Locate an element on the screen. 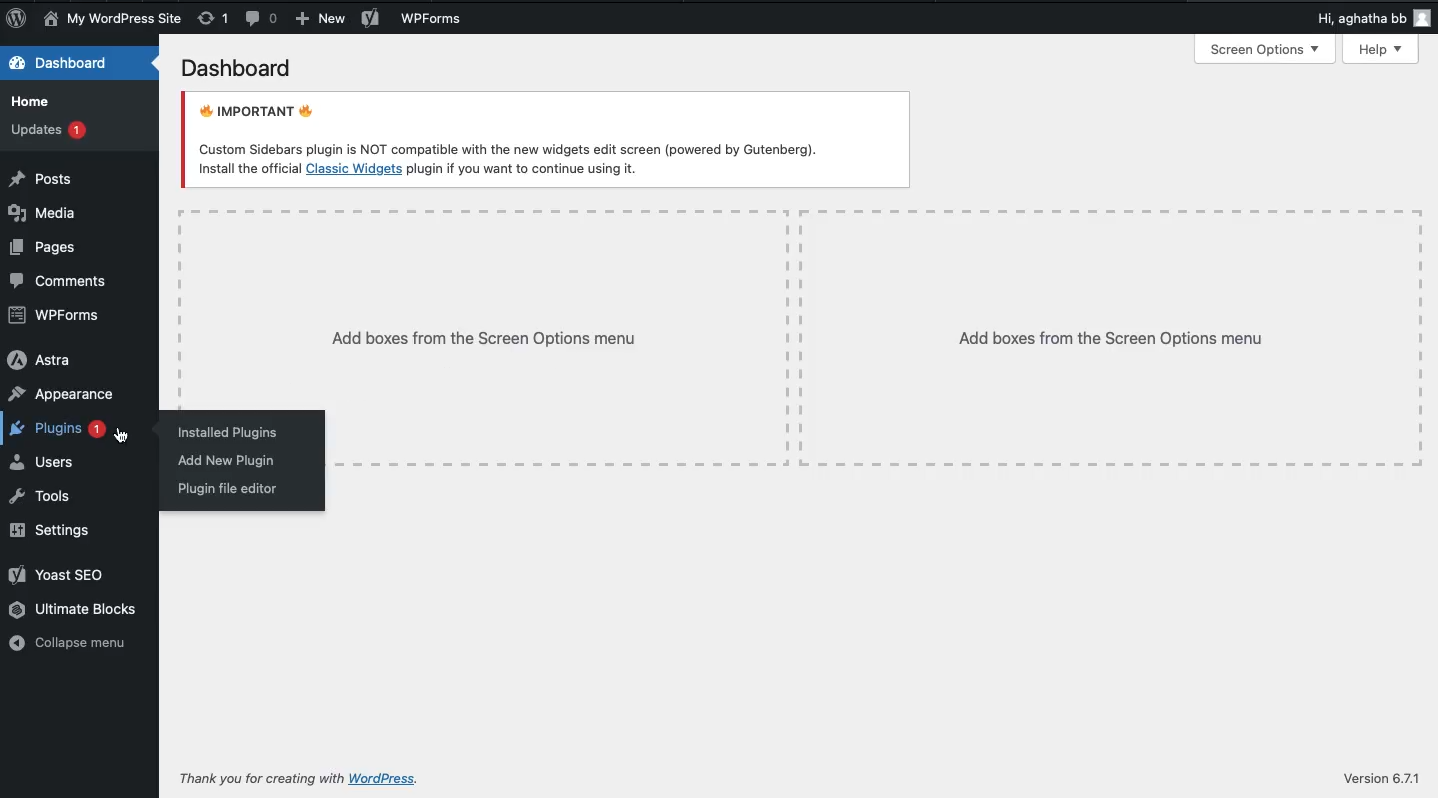 The width and height of the screenshot is (1438, 798). Home is located at coordinates (30, 101).